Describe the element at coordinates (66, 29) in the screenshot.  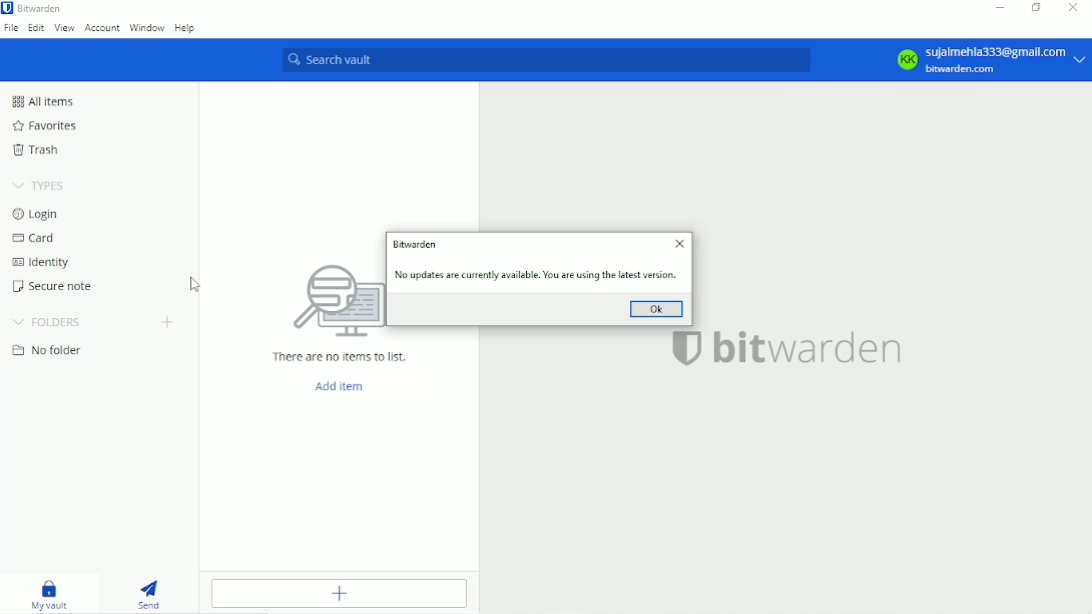
I see `View` at that location.